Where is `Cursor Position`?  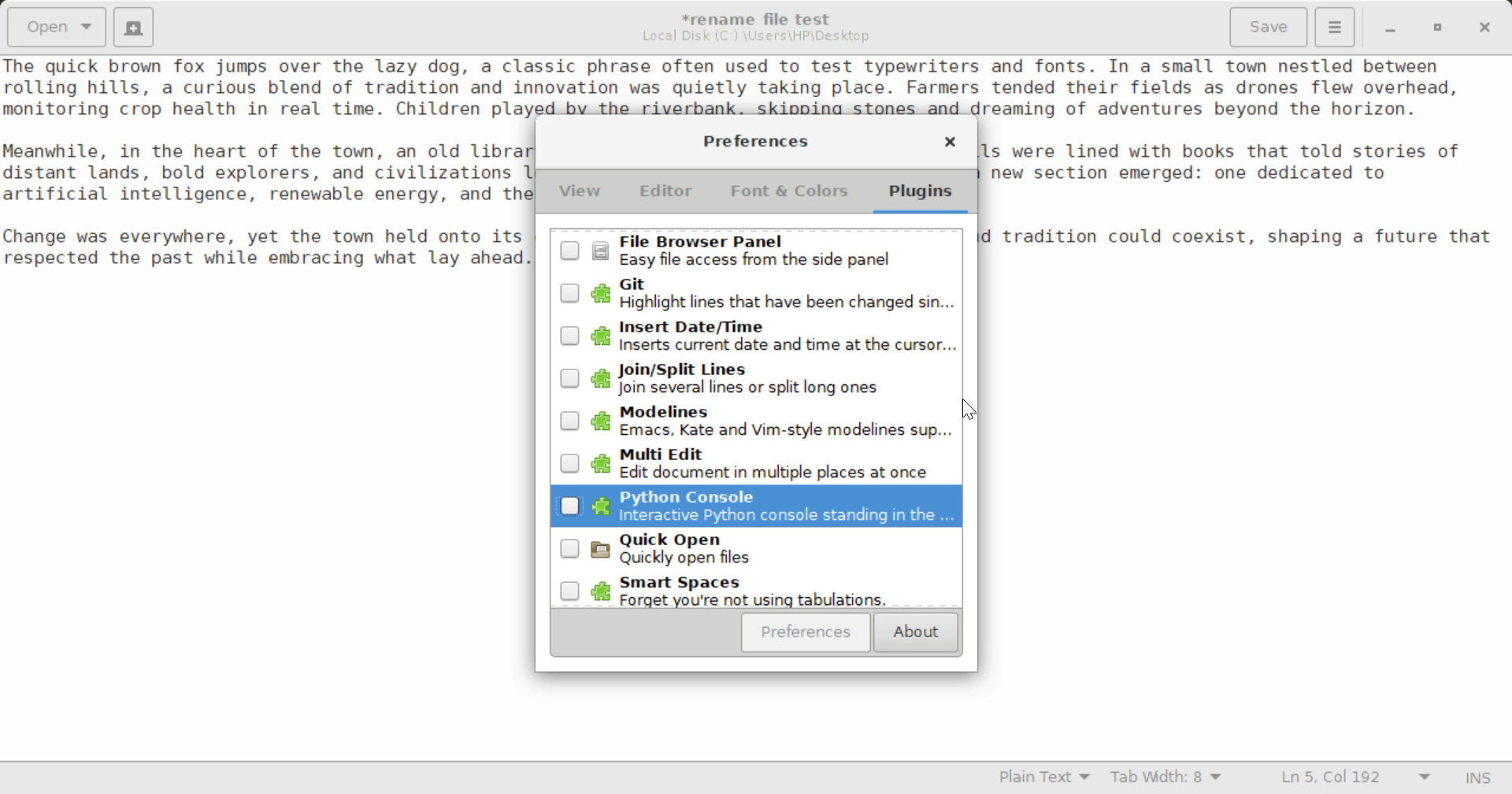
Cursor Position is located at coordinates (972, 412).